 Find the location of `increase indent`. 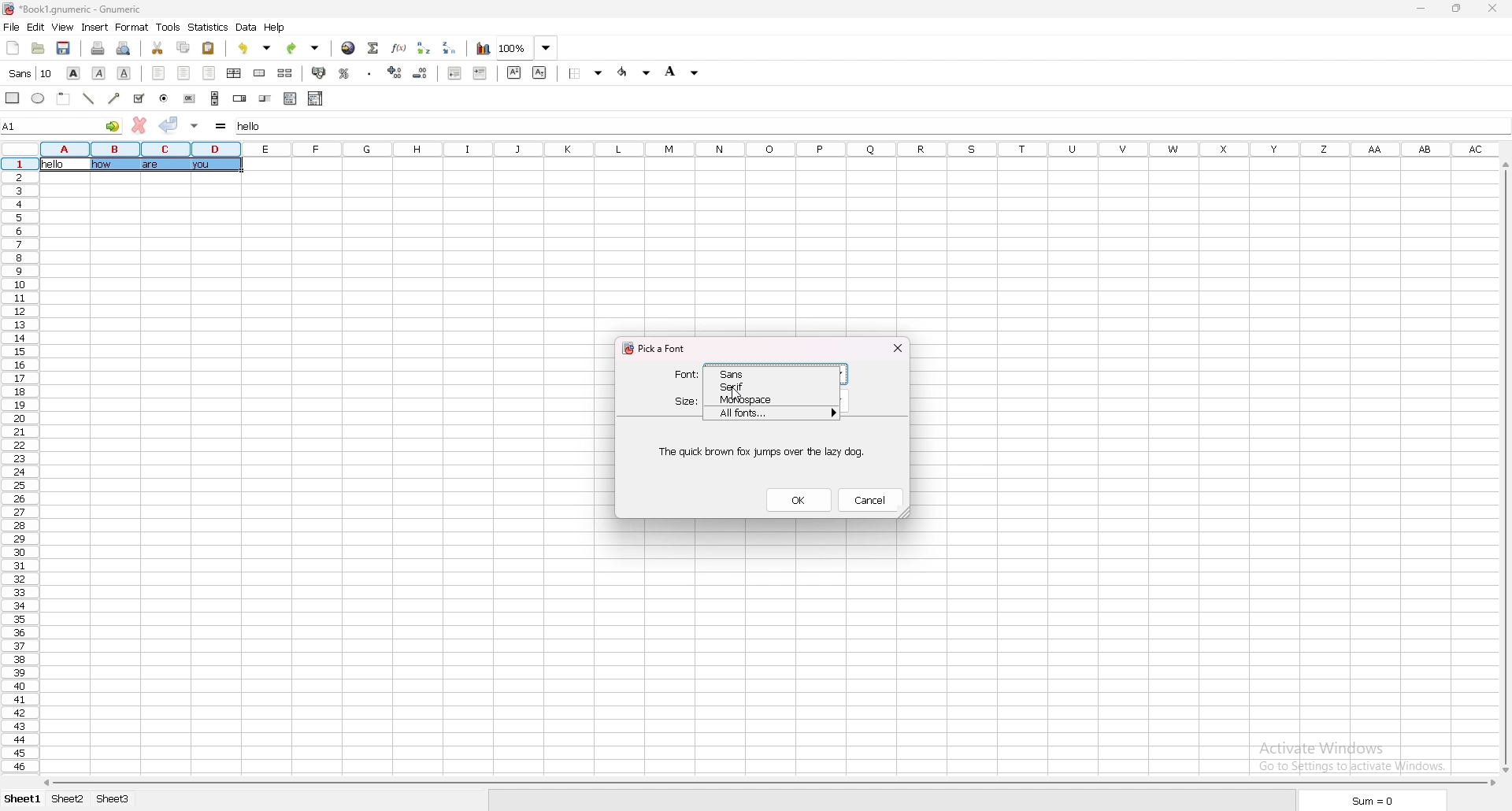

increase indent is located at coordinates (480, 74).